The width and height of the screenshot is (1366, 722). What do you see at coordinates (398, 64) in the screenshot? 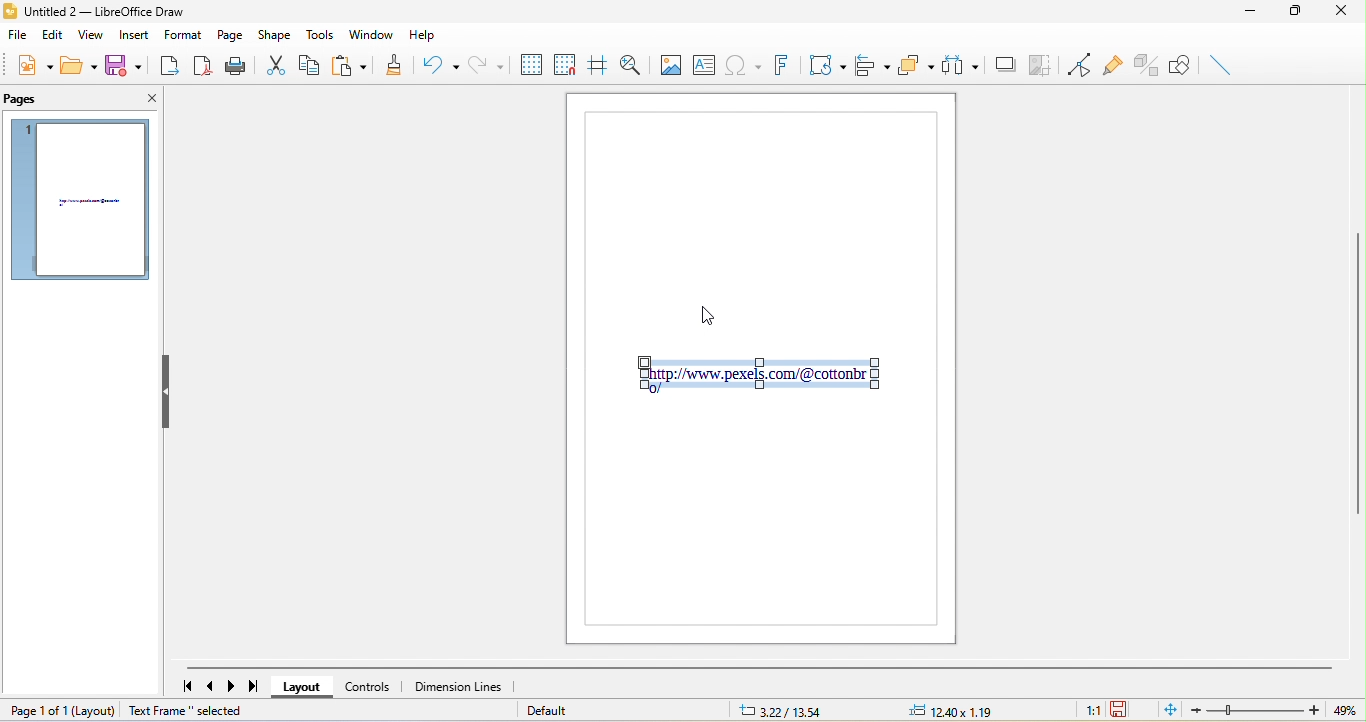
I see `clone formatting` at bounding box center [398, 64].